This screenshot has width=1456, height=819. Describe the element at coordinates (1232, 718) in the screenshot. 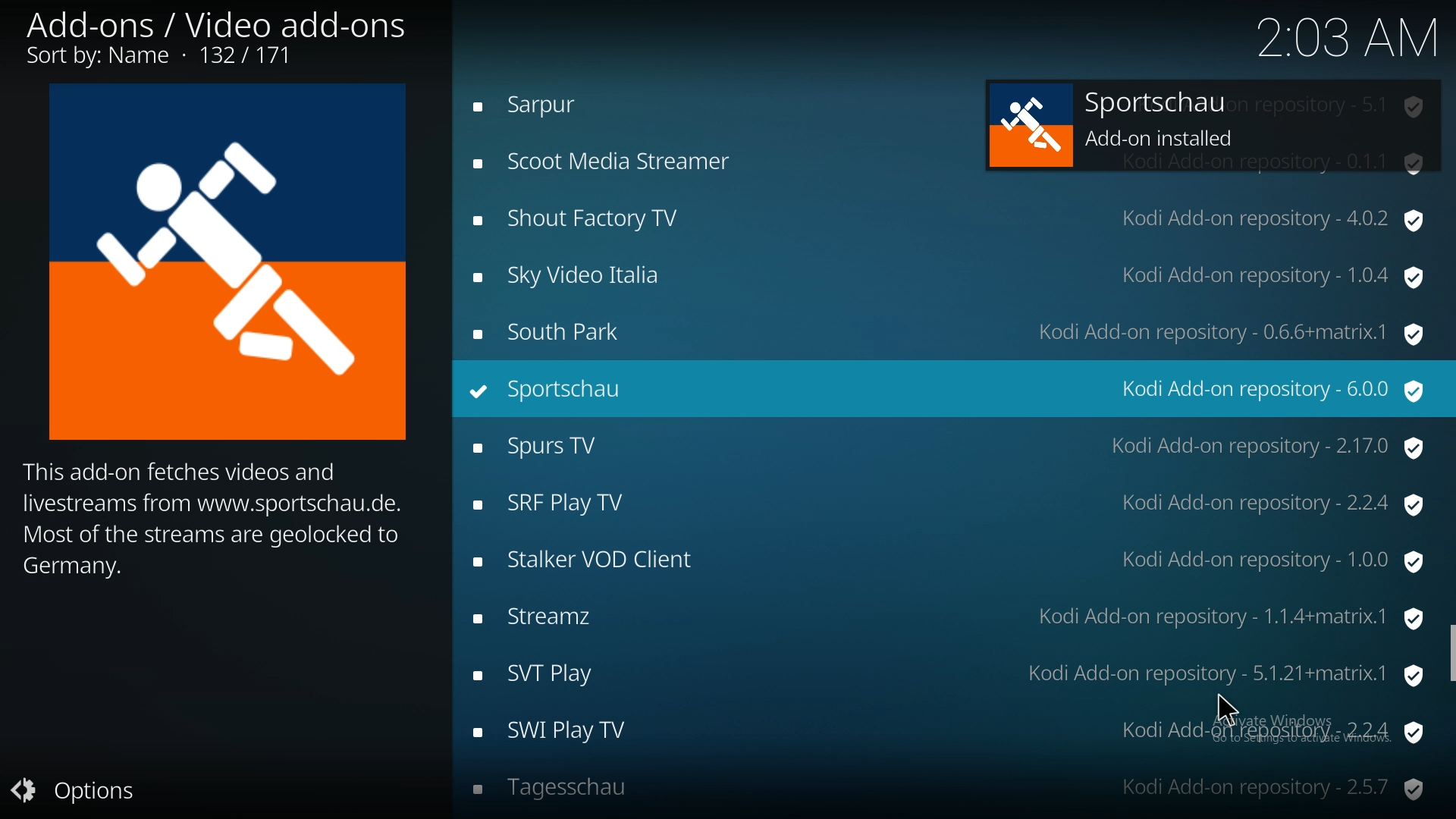

I see `Cursor` at that location.